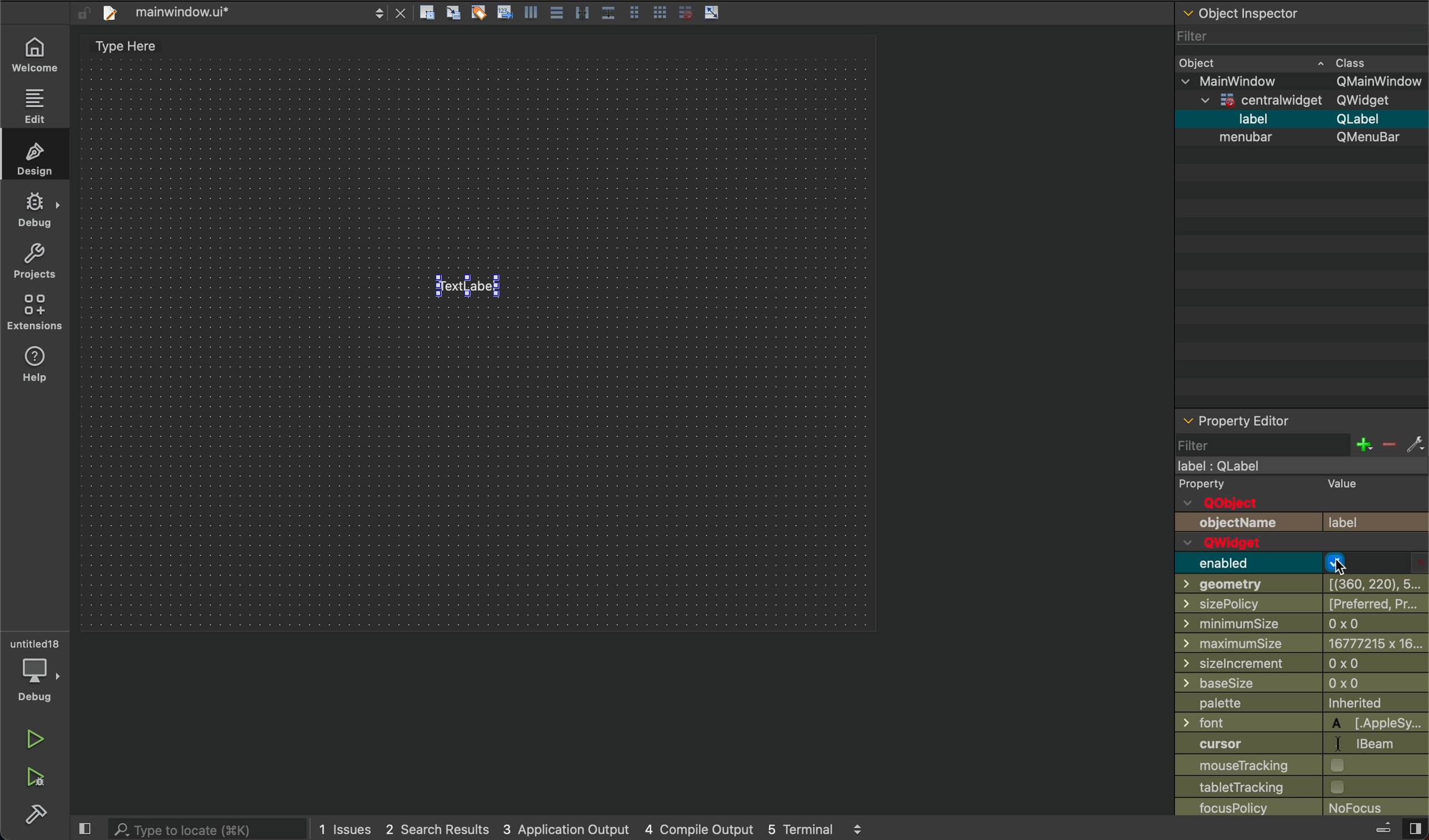 This screenshot has height=840, width=1429. Describe the element at coordinates (1347, 766) in the screenshot. I see `checkbox` at that location.